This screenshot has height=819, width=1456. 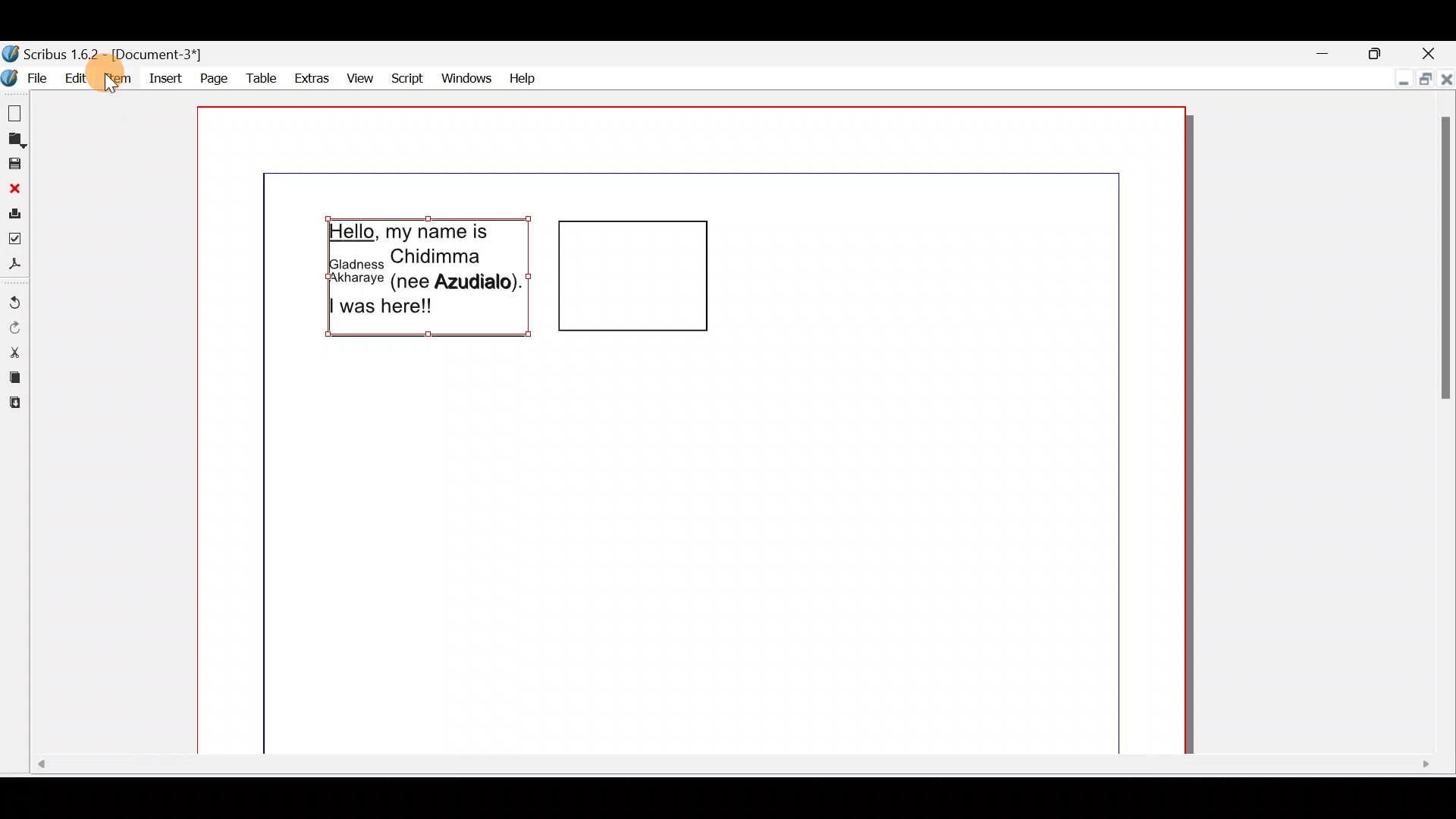 What do you see at coordinates (17, 112) in the screenshot?
I see `New` at bounding box center [17, 112].